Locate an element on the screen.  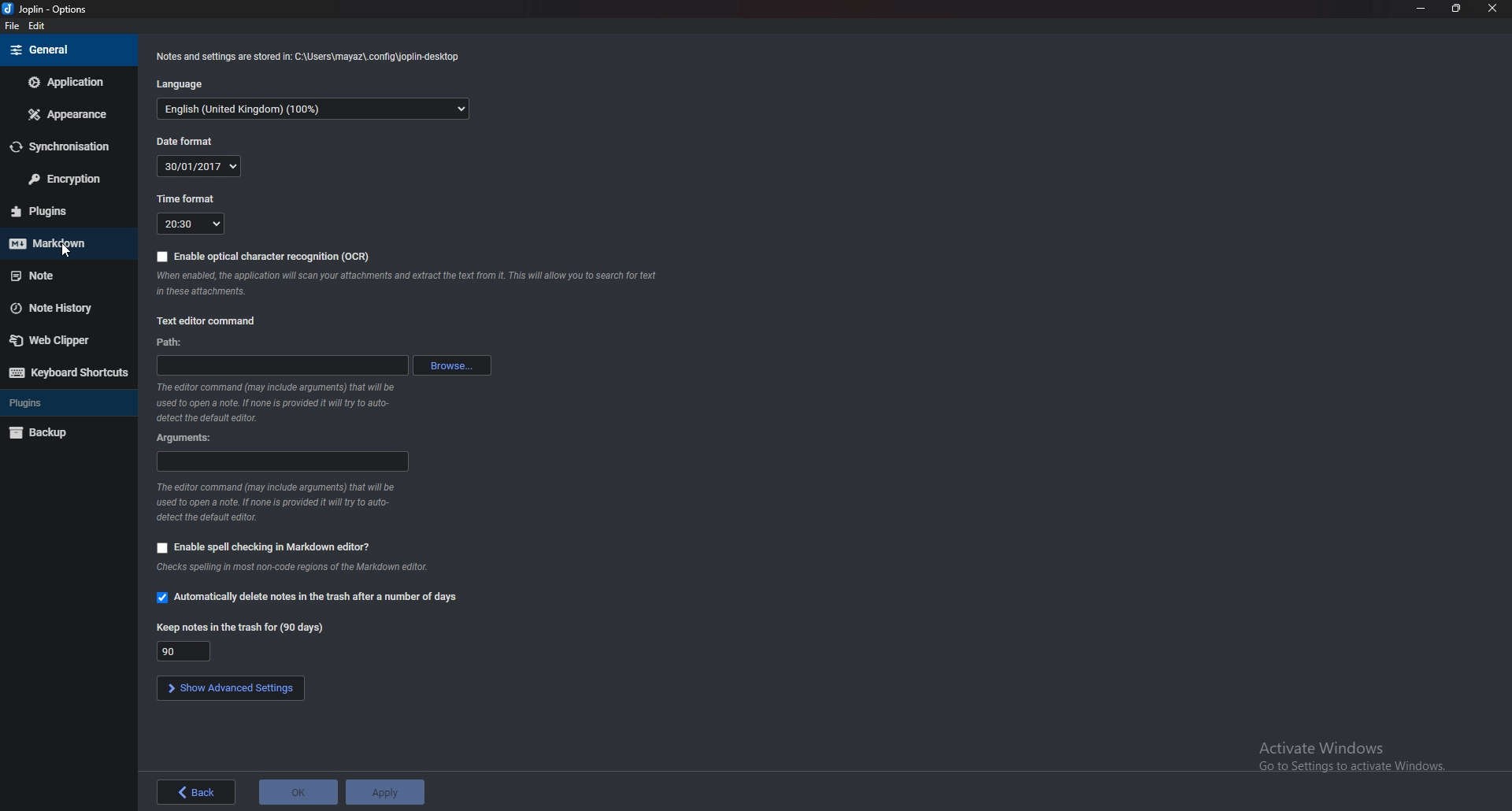
path is located at coordinates (276, 365).